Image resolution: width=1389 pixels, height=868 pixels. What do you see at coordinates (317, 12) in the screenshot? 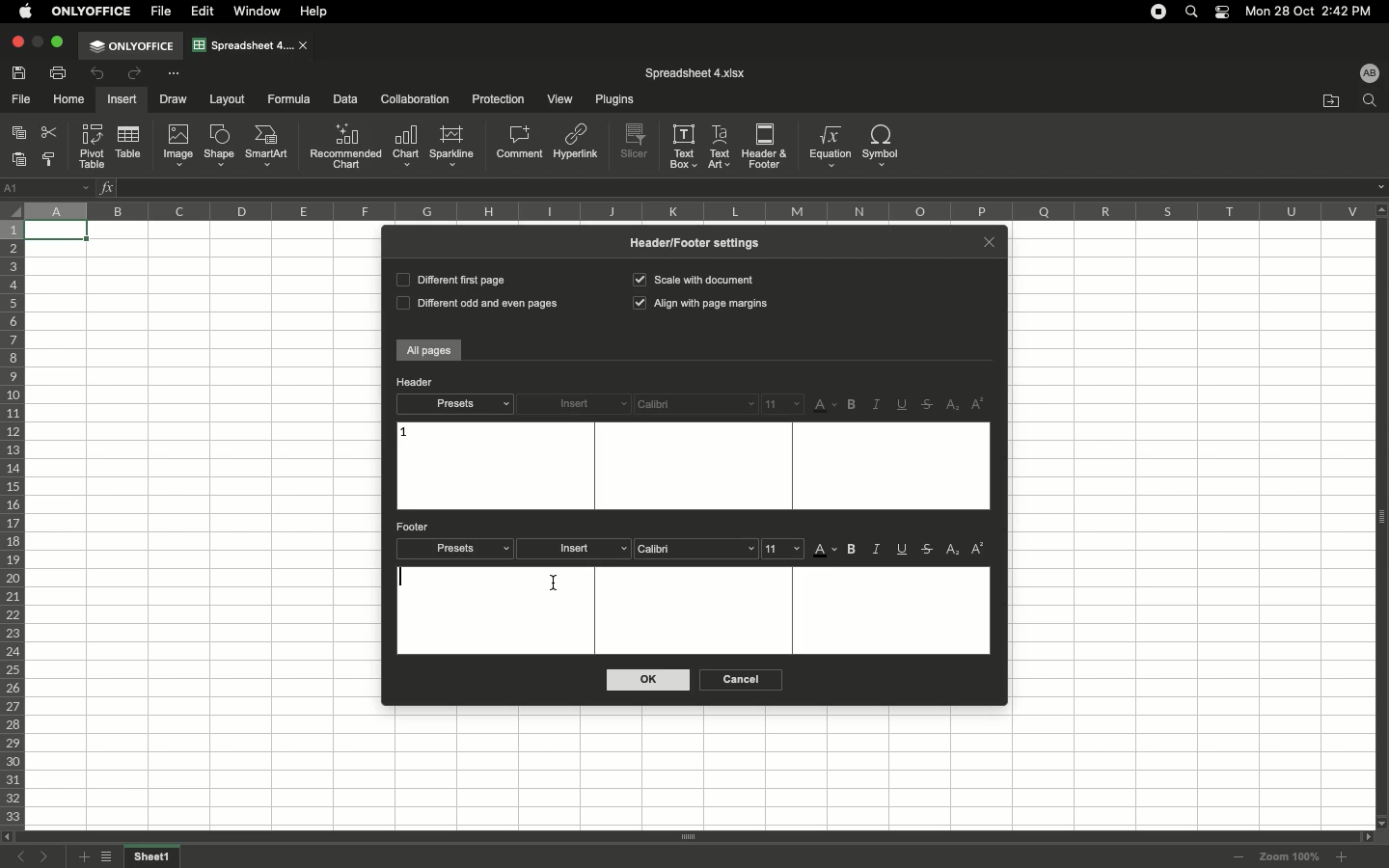
I see `Help` at bounding box center [317, 12].